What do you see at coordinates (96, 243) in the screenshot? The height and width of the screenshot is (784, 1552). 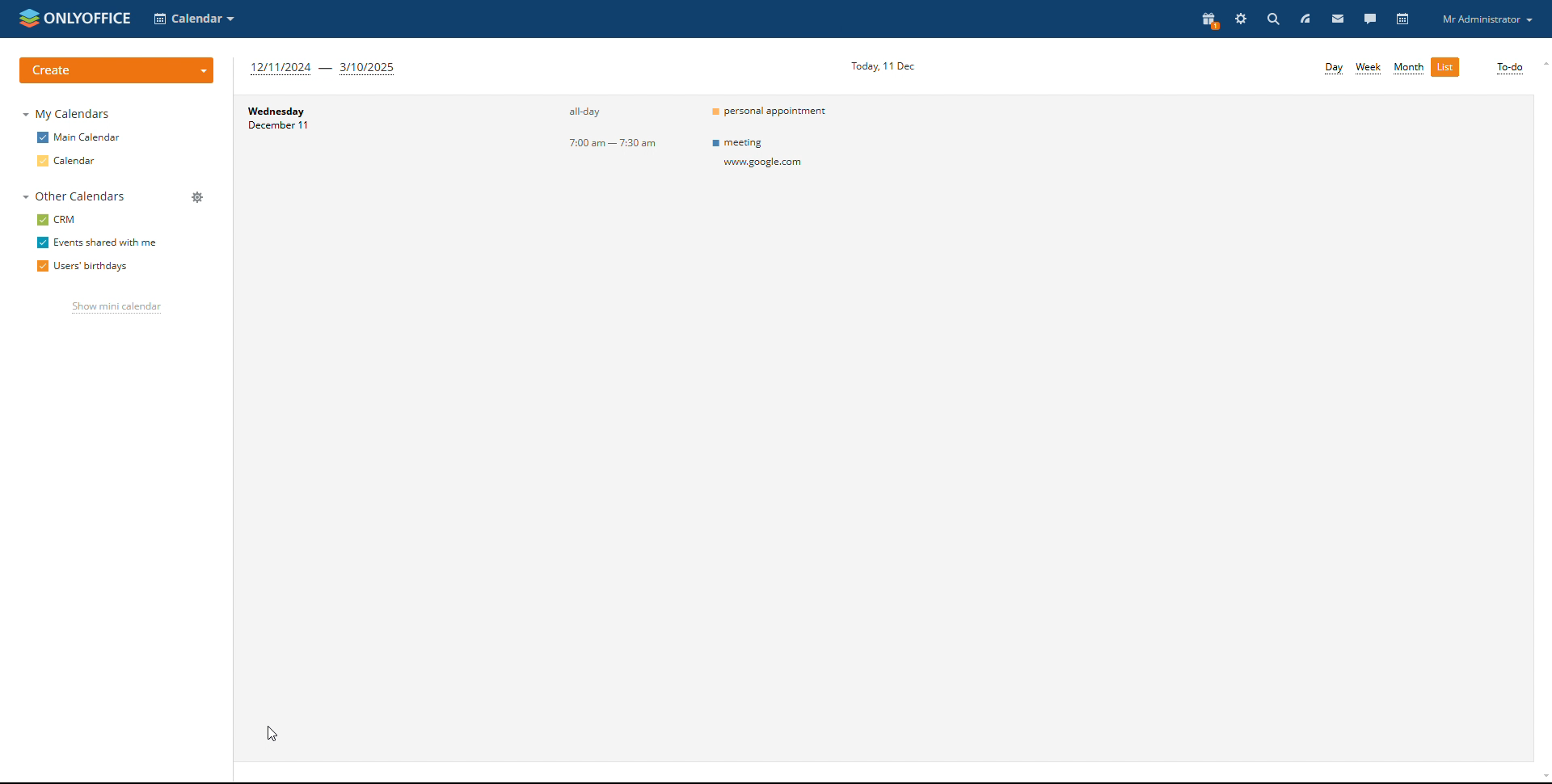 I see `events shared with me` at bounding box center [96, 243].